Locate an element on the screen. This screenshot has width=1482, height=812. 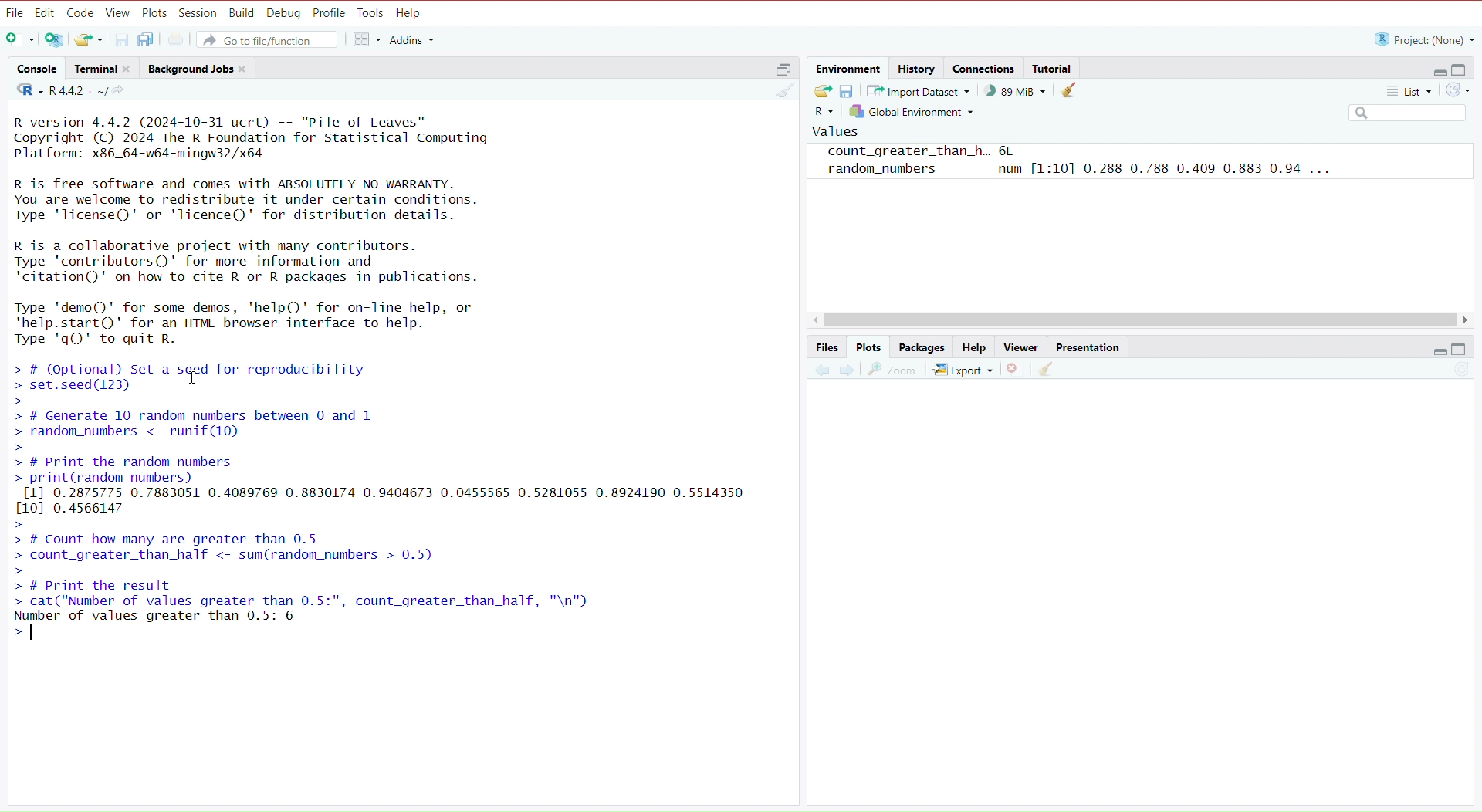
Zoom is located at coordinates (893, 370).